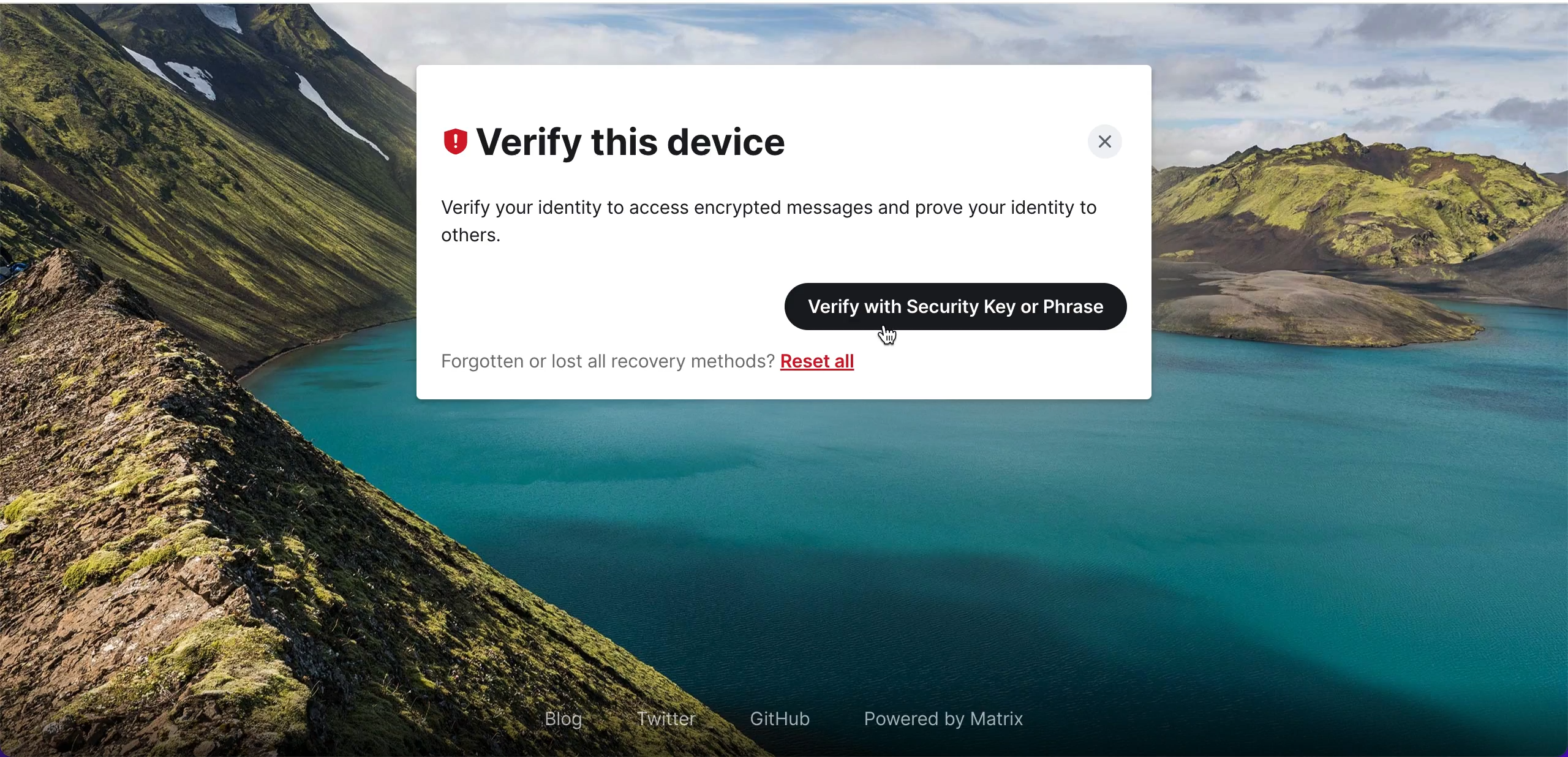  Describe the element at coordinates (959, 720) in the screenshot. I see `powered by matrix` at that location.